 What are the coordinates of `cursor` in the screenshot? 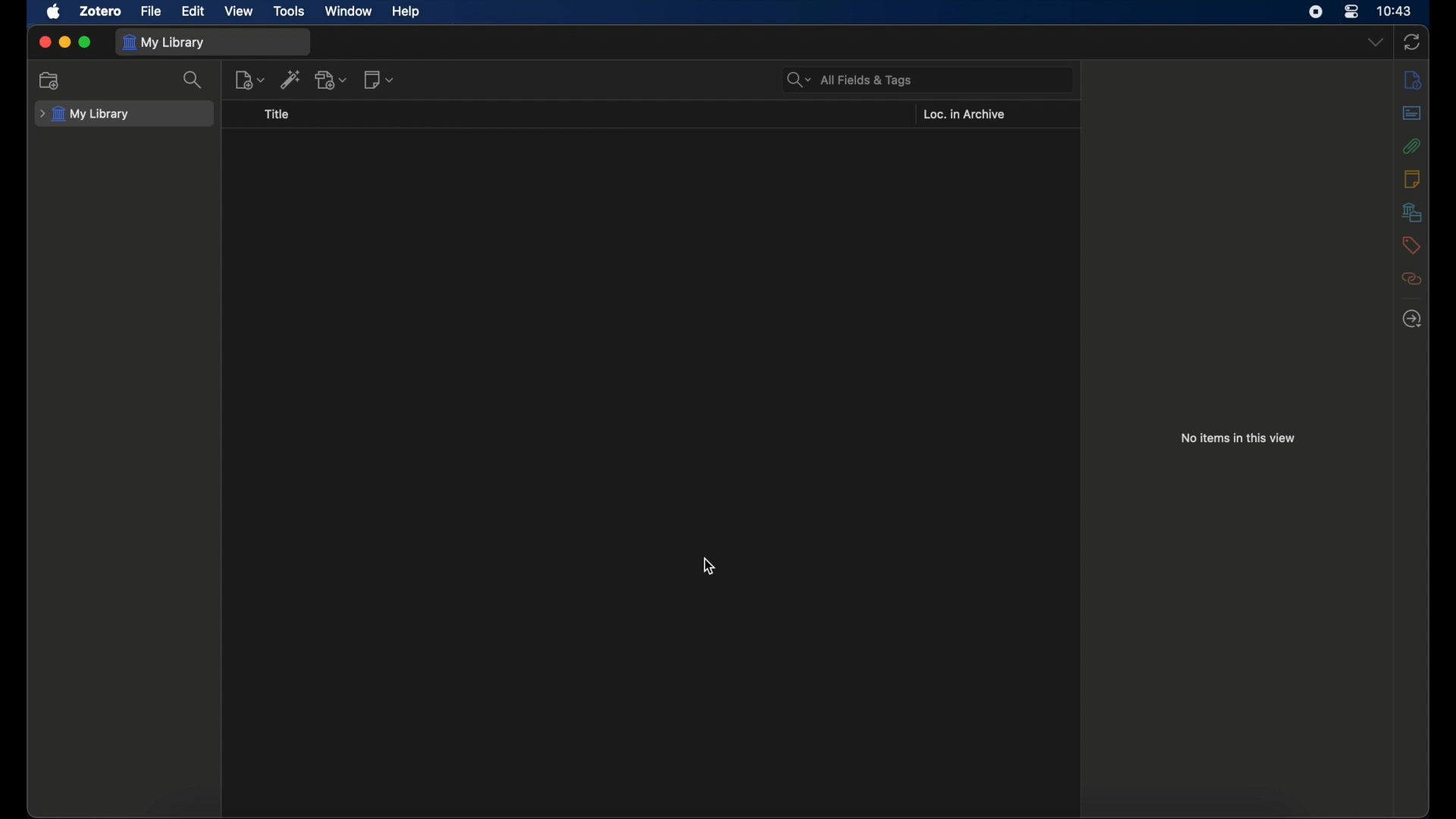 It's located at (711, 566).